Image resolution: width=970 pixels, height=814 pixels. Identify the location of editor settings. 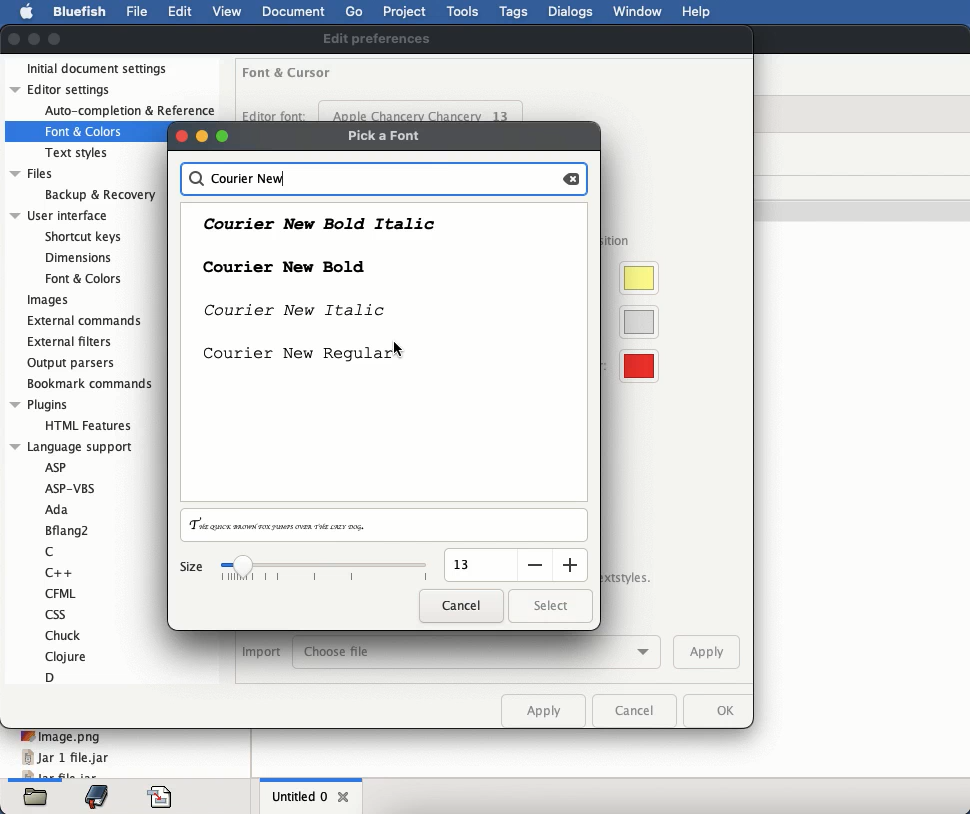
(110, 101).